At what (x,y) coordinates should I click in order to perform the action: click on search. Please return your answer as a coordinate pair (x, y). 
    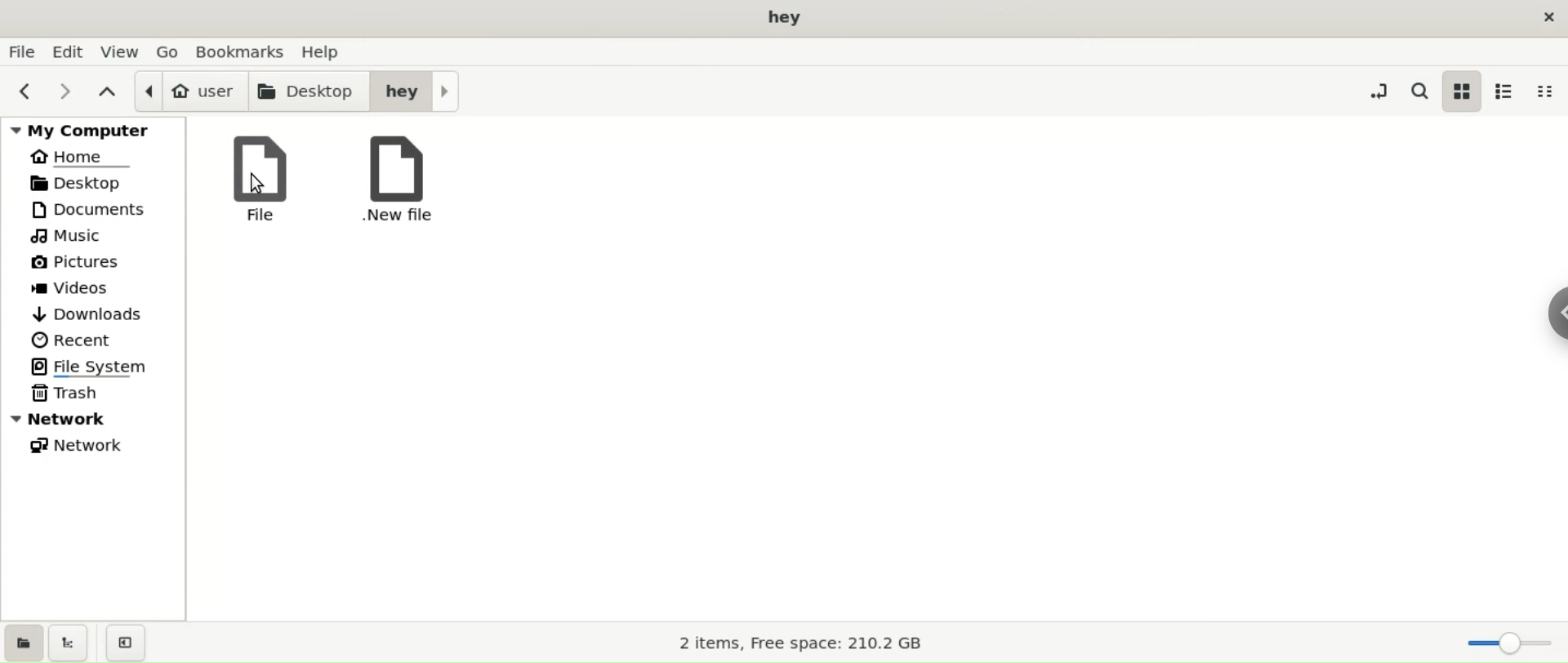
    Looking at the image, I should click on (1417, 91).